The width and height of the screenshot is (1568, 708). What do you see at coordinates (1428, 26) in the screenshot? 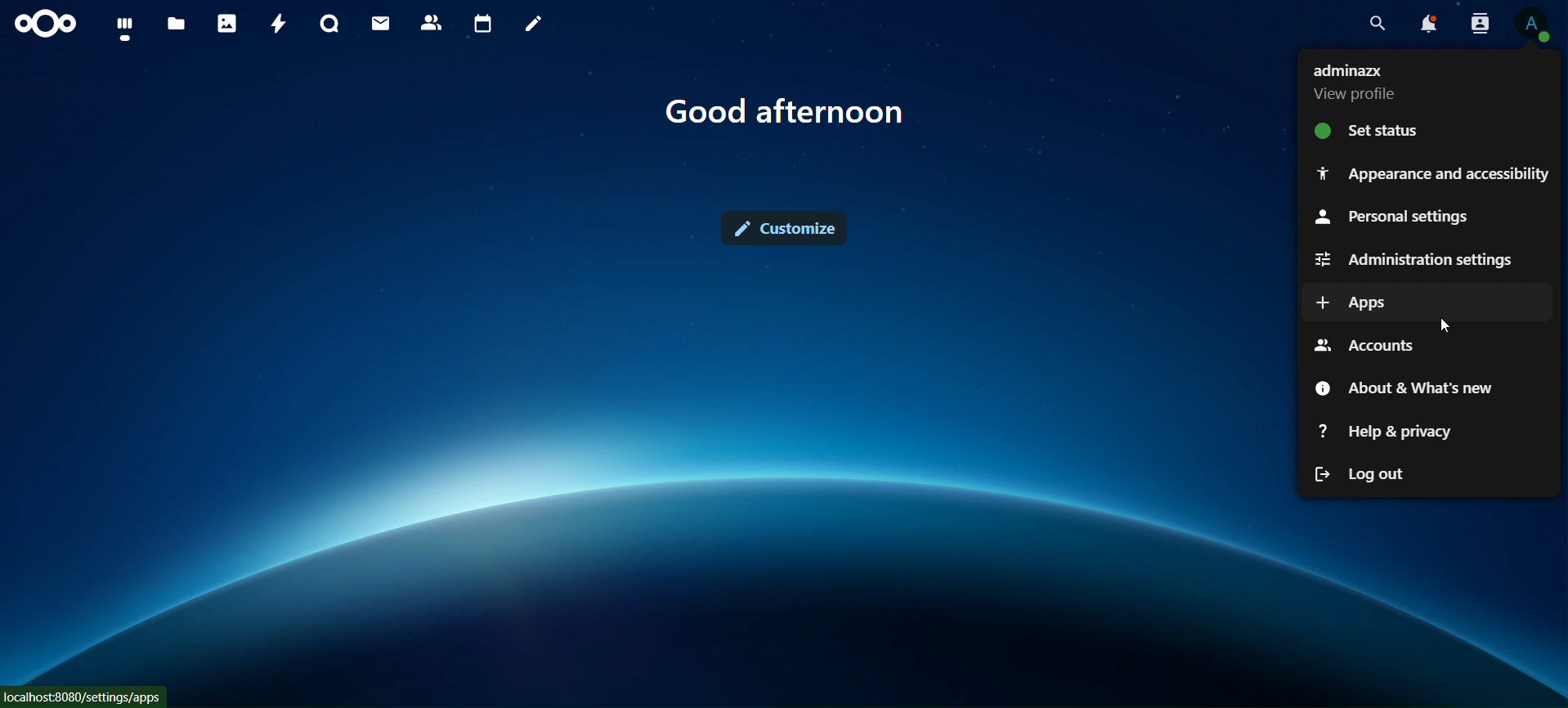
I see `notifications` at bounding box center [1428, 26].